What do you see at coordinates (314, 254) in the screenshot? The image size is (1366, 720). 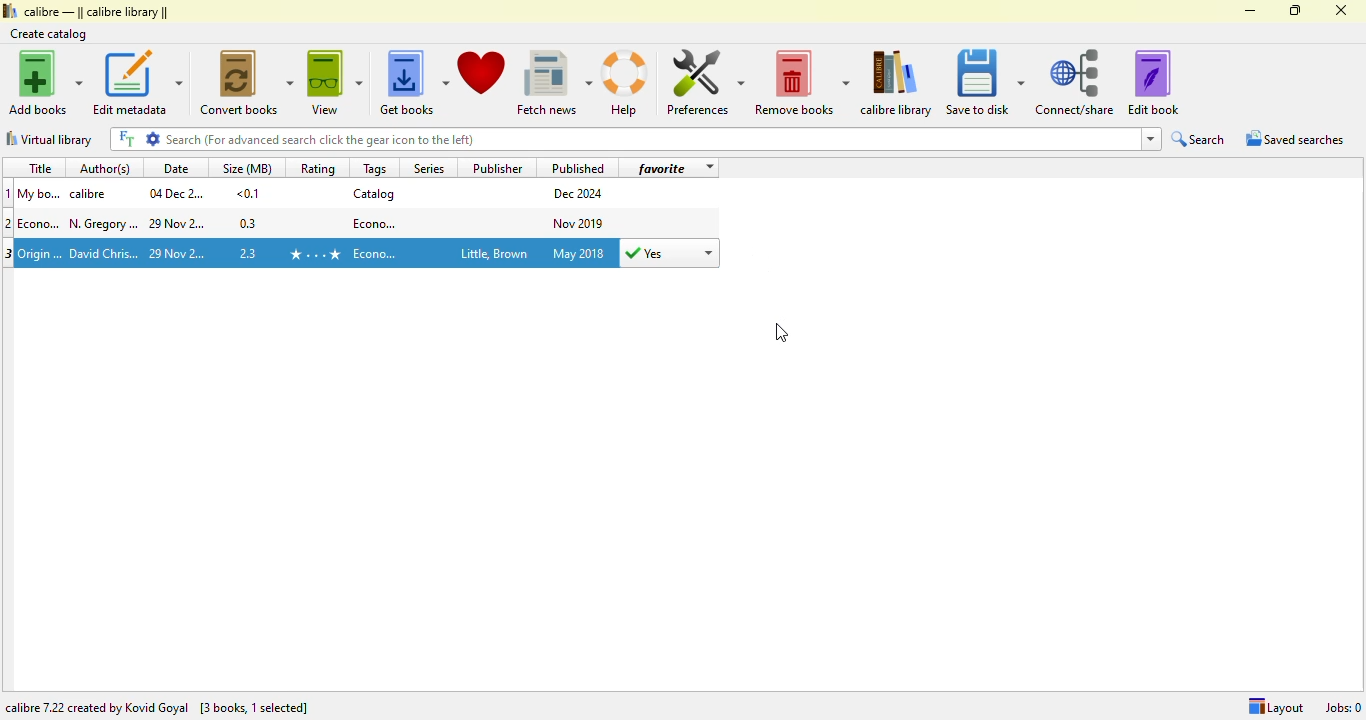 I see `rating` at bounding box center [314, 254].